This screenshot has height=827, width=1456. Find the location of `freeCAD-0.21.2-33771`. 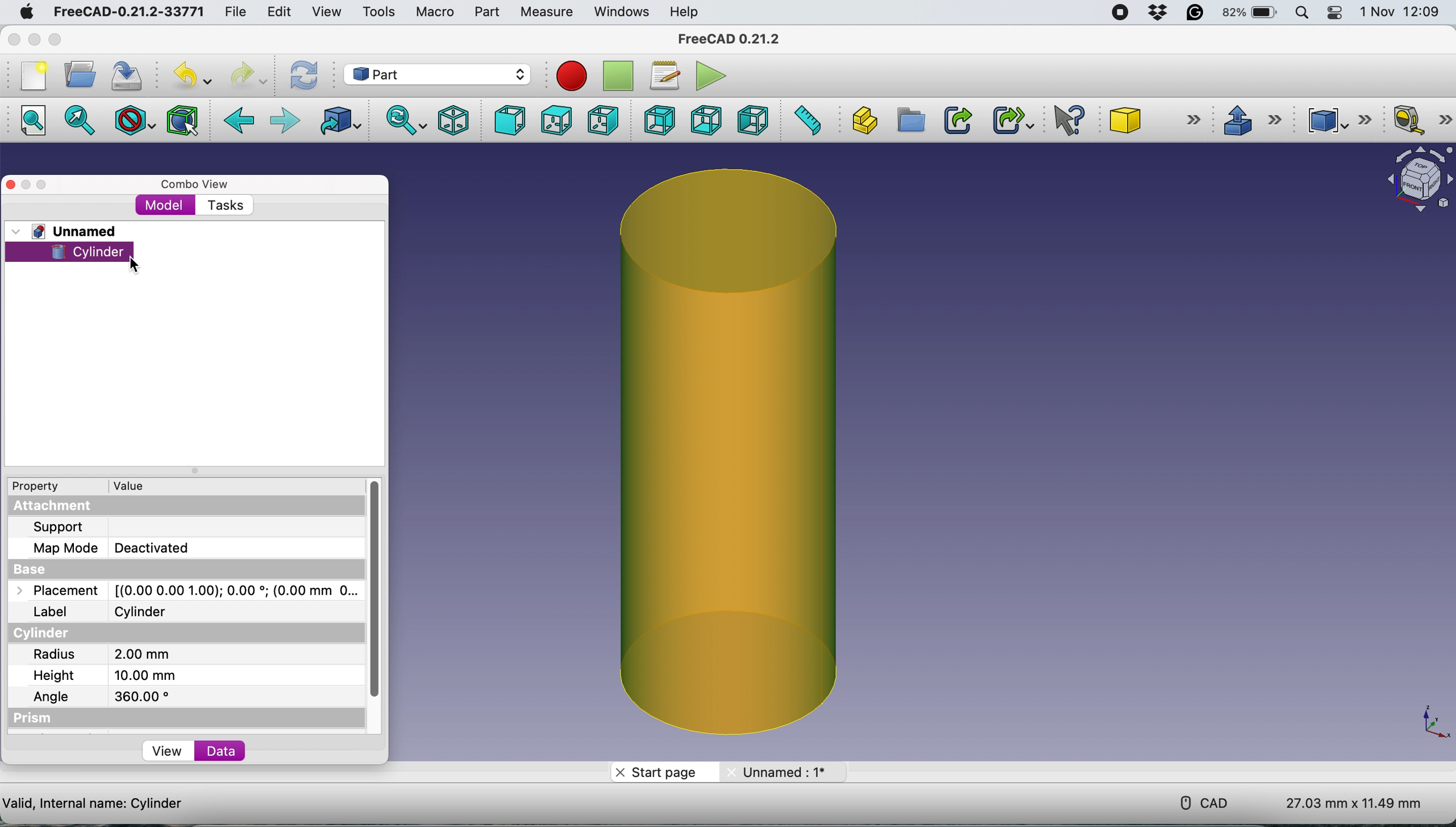

freeCAD-0.21.2-33771 is located at coordinates (126, 12).